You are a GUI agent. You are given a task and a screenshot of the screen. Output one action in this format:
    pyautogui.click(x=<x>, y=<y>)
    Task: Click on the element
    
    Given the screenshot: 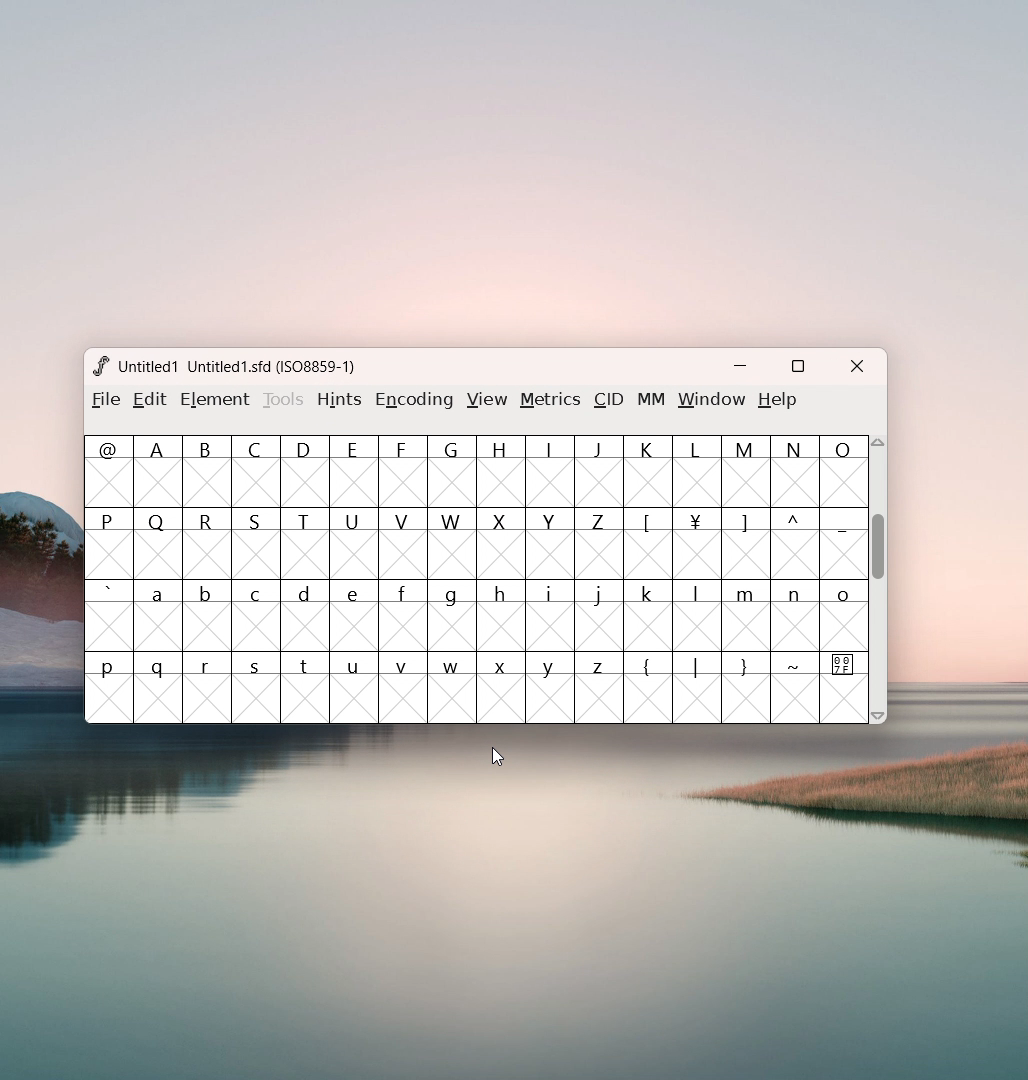 What is the action you would take?
    pyautogui.click(x=215, y=402)
    